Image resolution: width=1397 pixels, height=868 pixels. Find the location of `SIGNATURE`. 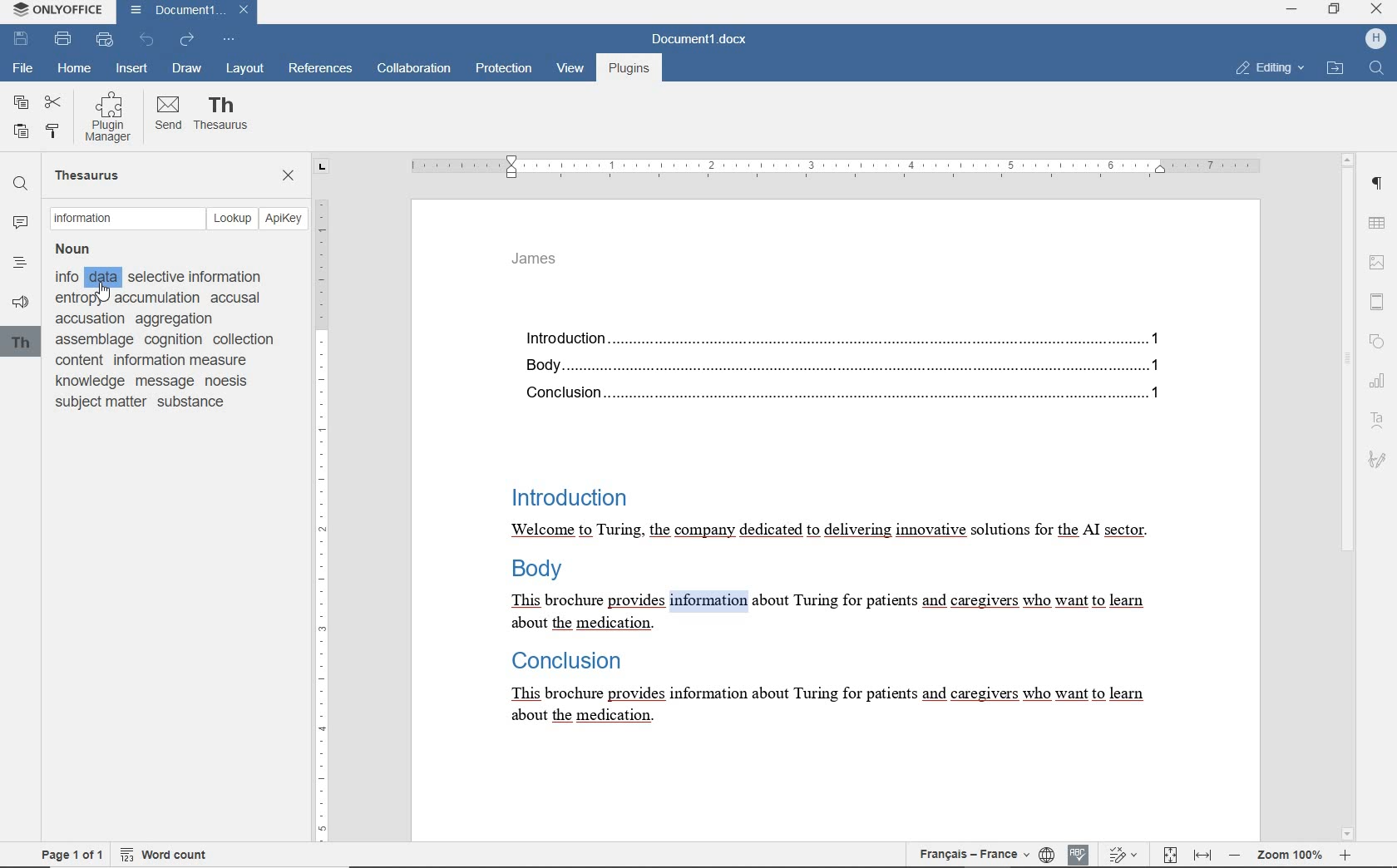

SIGNATURE is located at coordinates (1379, 459).